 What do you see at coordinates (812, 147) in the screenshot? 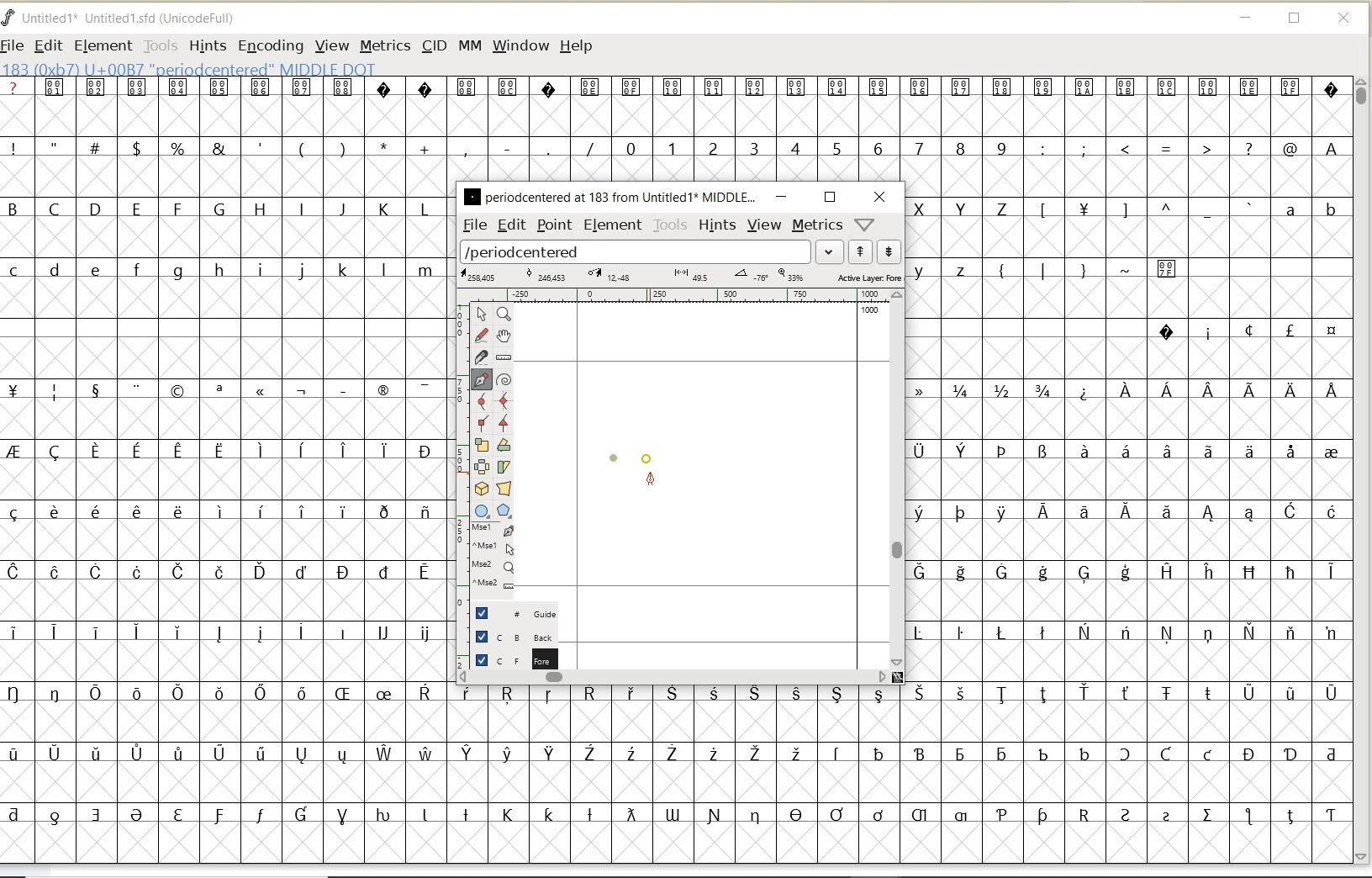
I see `numbers` at bounding box center [812, 147].